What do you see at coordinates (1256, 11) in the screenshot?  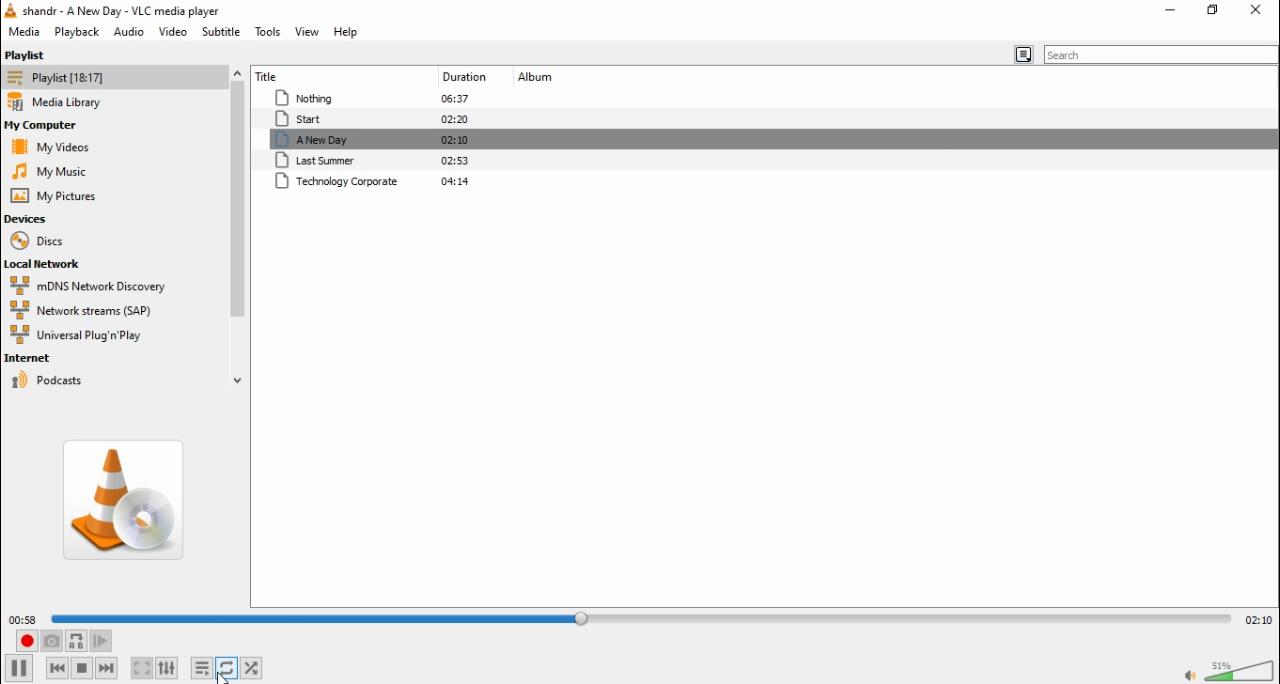 I see `close window` at bounding box center [1256, 11].